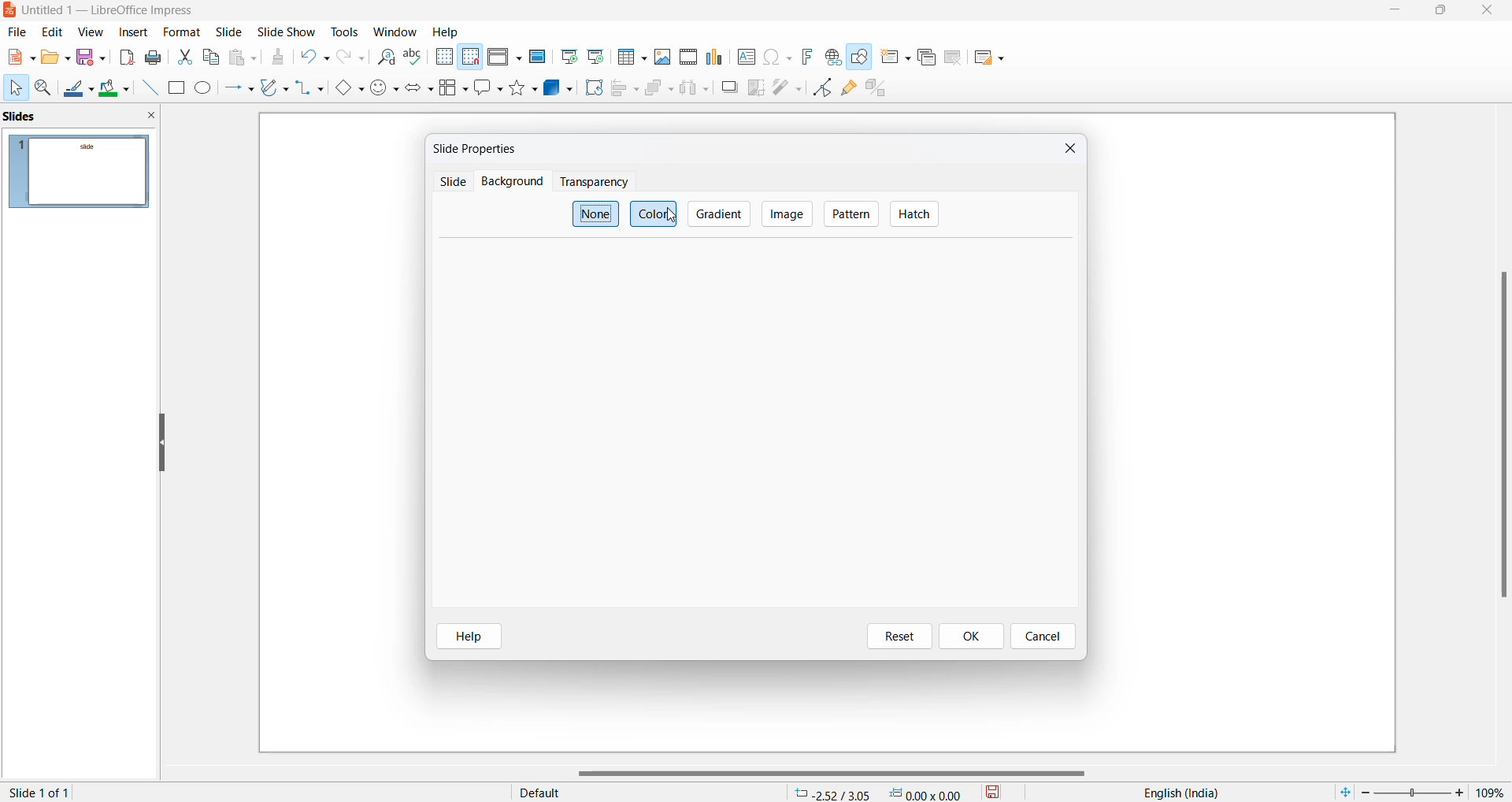  What do you see at coordinates (481, 148) in the screenshot?
I see `dialog box heading` at bounding box center [481, 148].